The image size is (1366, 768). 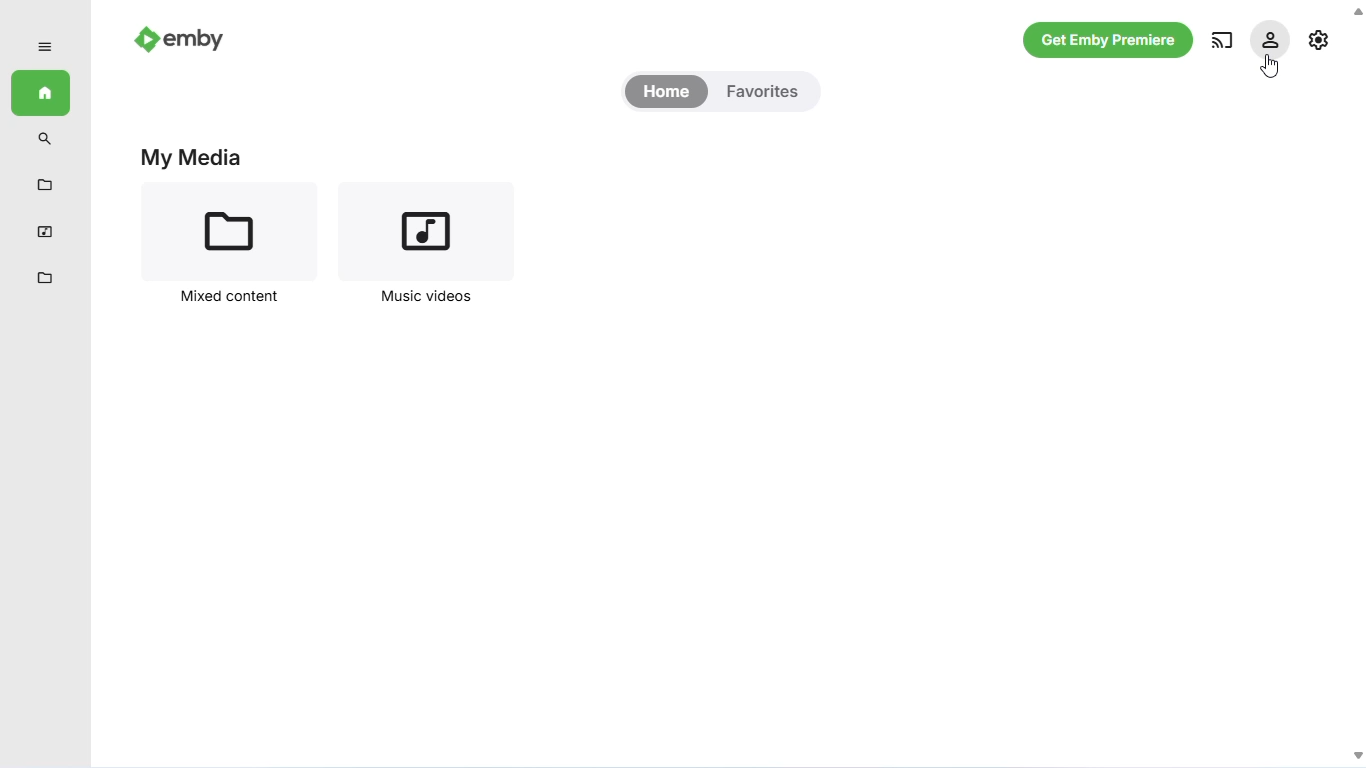 What do you see at coordinates (192, 157) in the screenshot?
I see `my media` at bounding box center [192, 157].